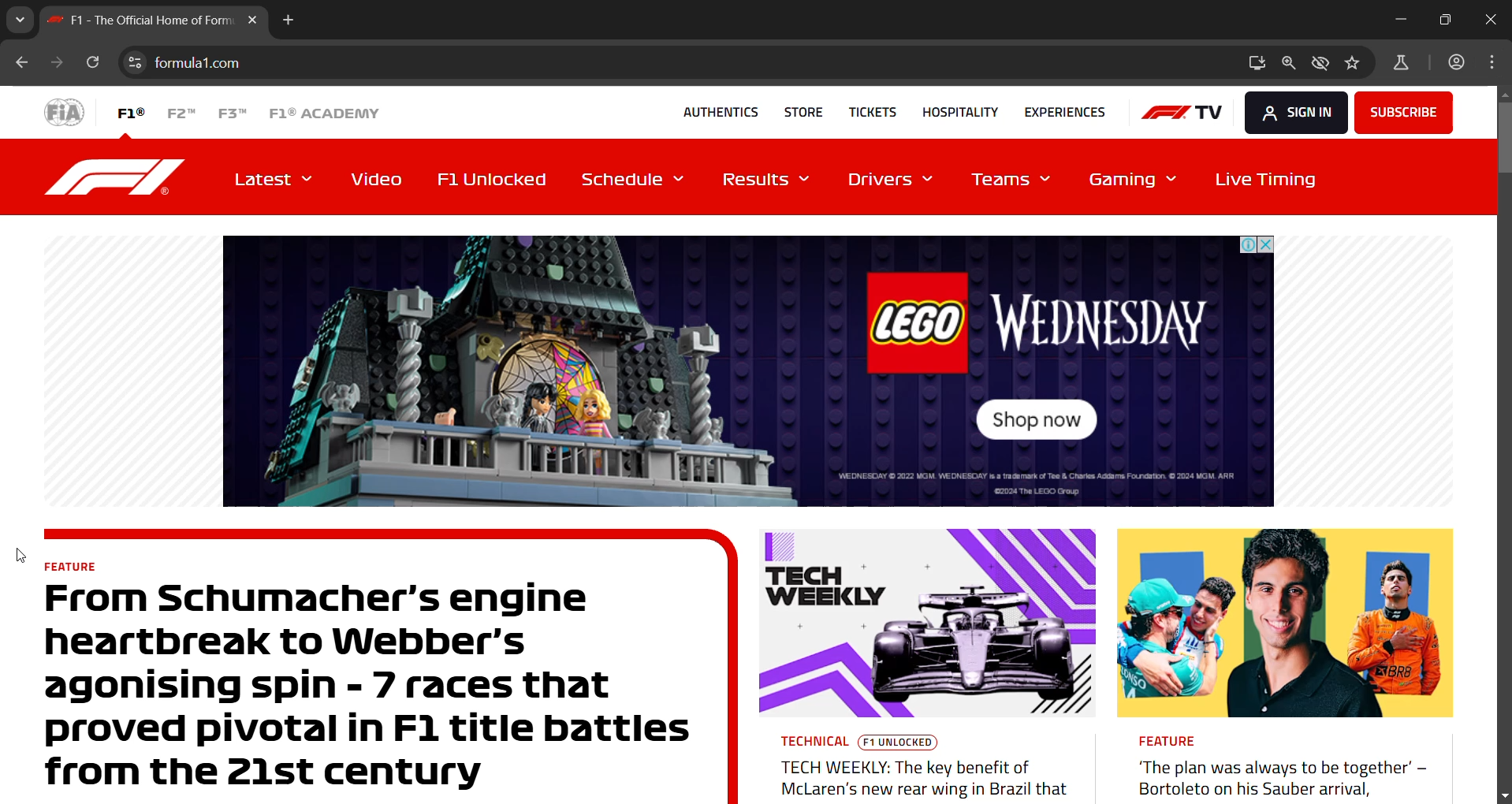 Image resolution: width=1512 pixels, height=804 pixels. Describe the element at coordinates (22, 65) in the screenshot. I see `click to go back` at that location.